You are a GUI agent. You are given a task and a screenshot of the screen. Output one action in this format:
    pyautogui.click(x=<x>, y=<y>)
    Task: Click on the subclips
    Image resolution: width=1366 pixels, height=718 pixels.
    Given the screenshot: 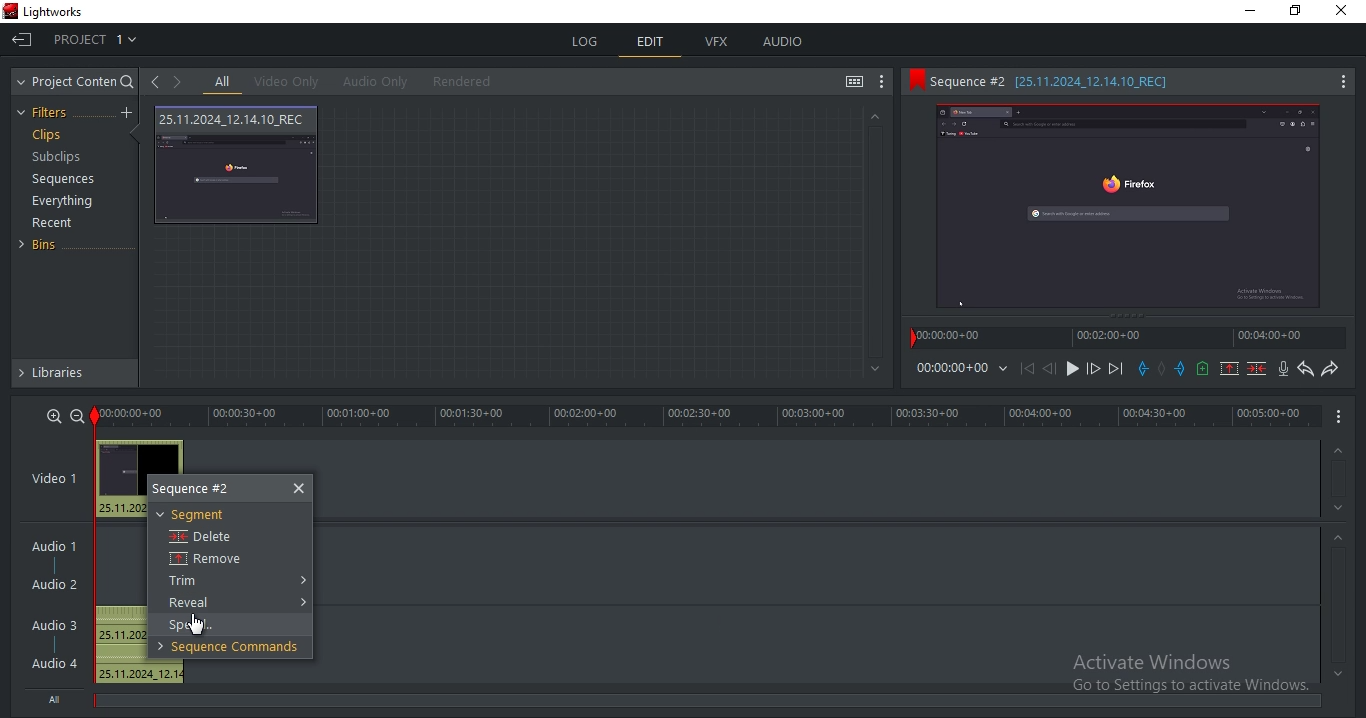 What is the action you would take?
    pyautogui.click(x=55, y=158)
    